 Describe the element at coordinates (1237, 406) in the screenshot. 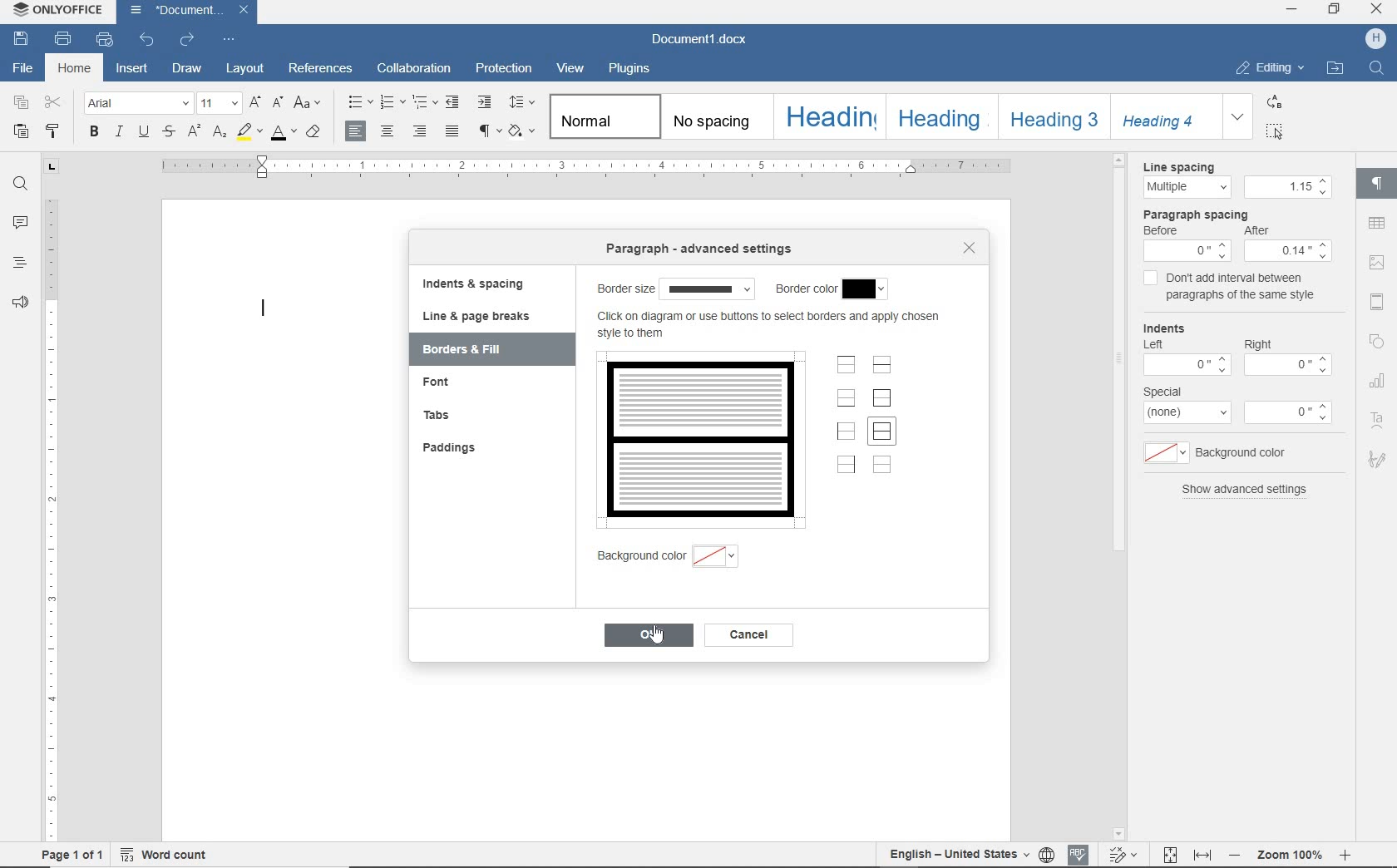

I see `special: none-0` at that location.